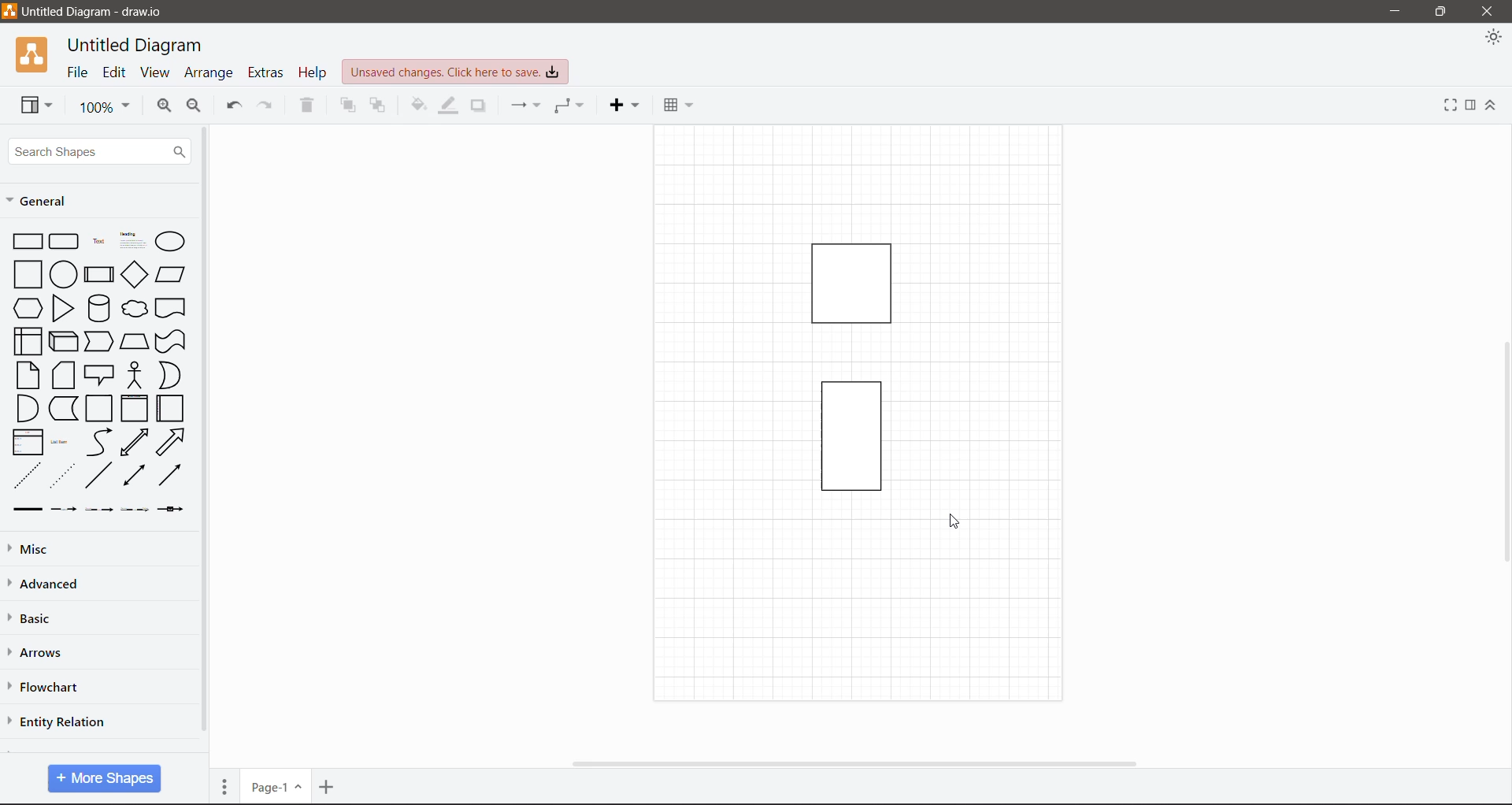 The height and width of the screenshot is (805, 1512). What do you see at coordinates (527, 106) in the screenshot?
I see `Connection` at bounding box center [527, 106].